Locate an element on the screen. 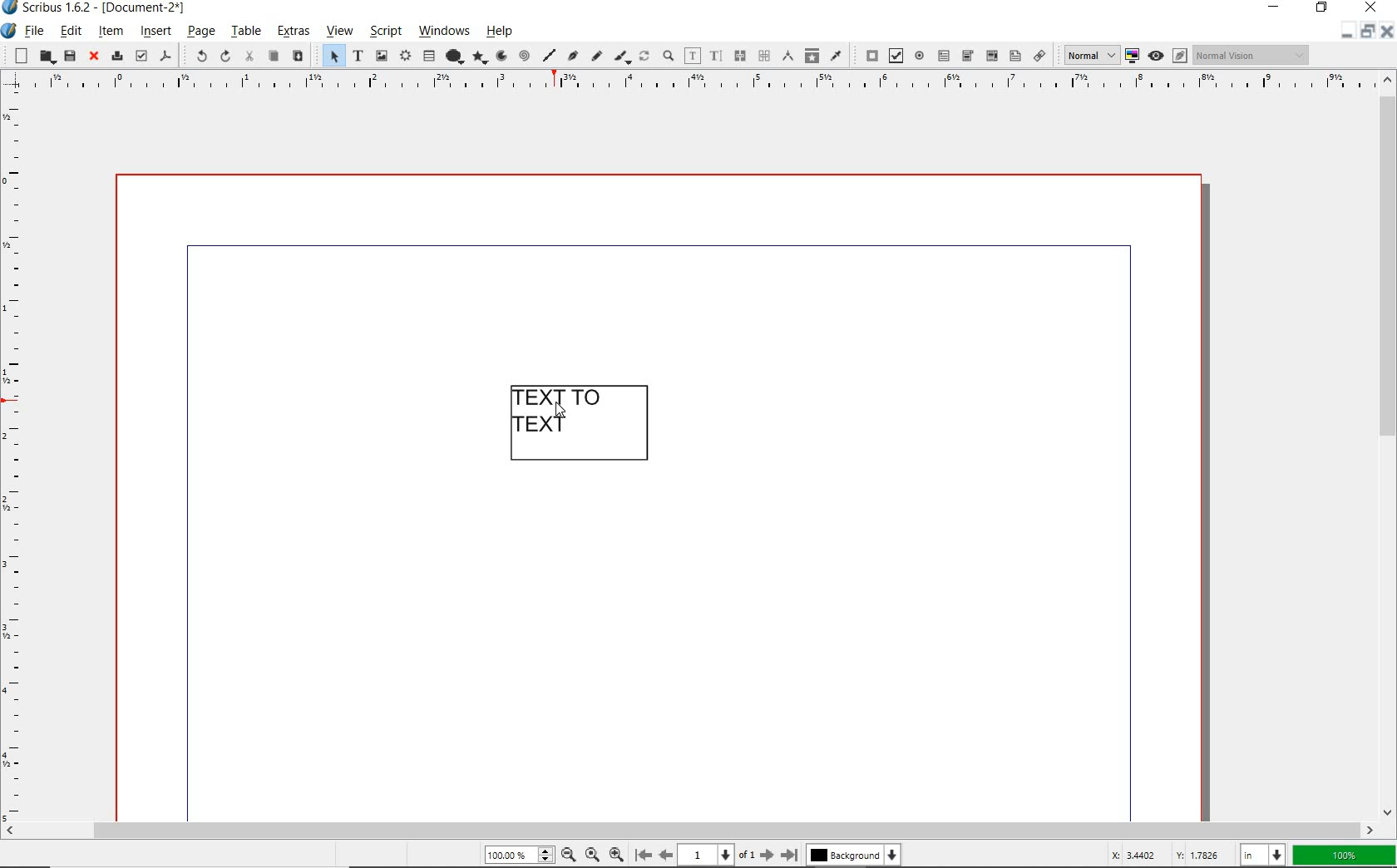 This screenshot has width=1397, height=868. calligraphic line is located at coordinates (623, 56).